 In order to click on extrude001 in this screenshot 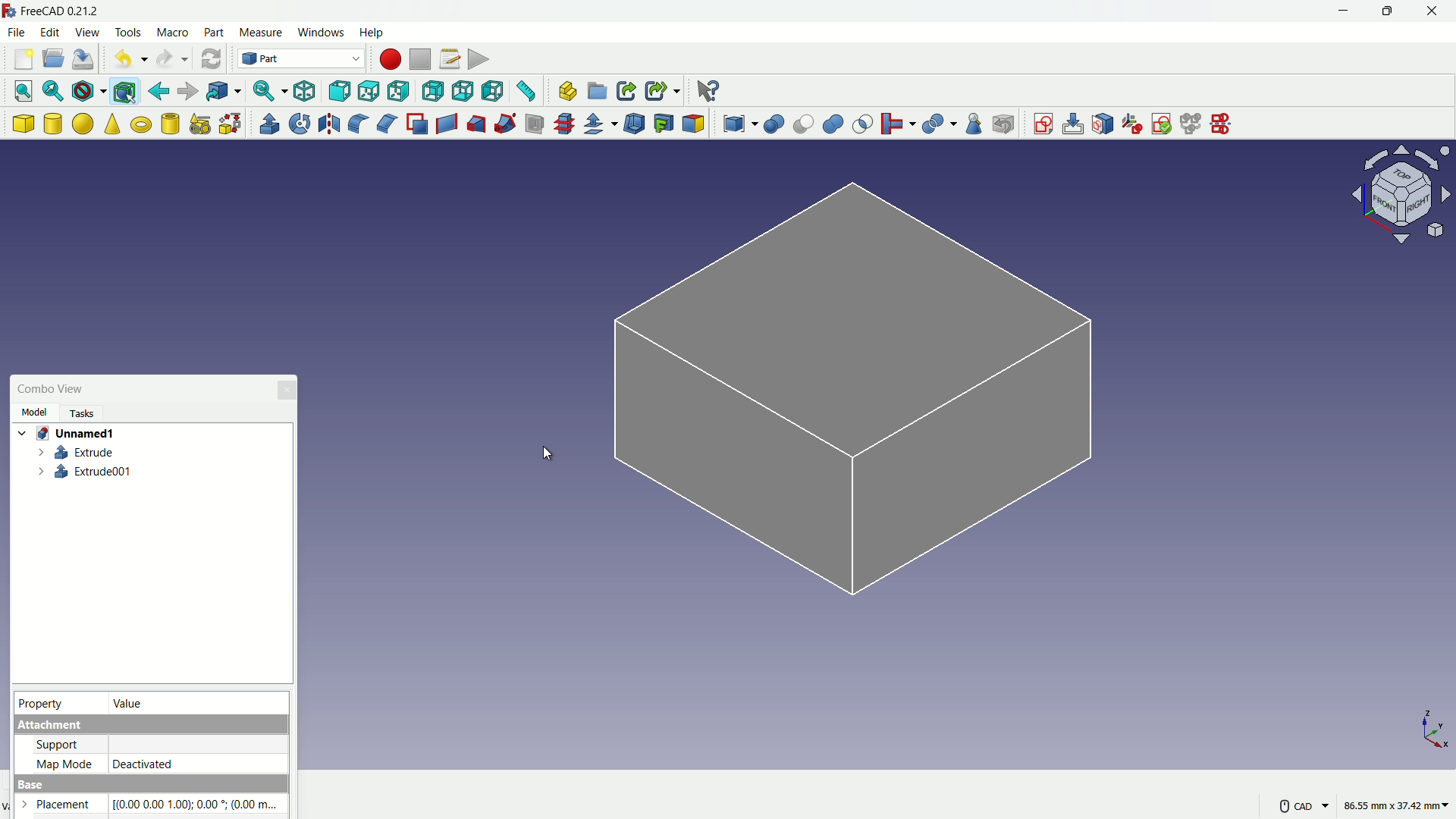, I will do `click(85, 472)`.